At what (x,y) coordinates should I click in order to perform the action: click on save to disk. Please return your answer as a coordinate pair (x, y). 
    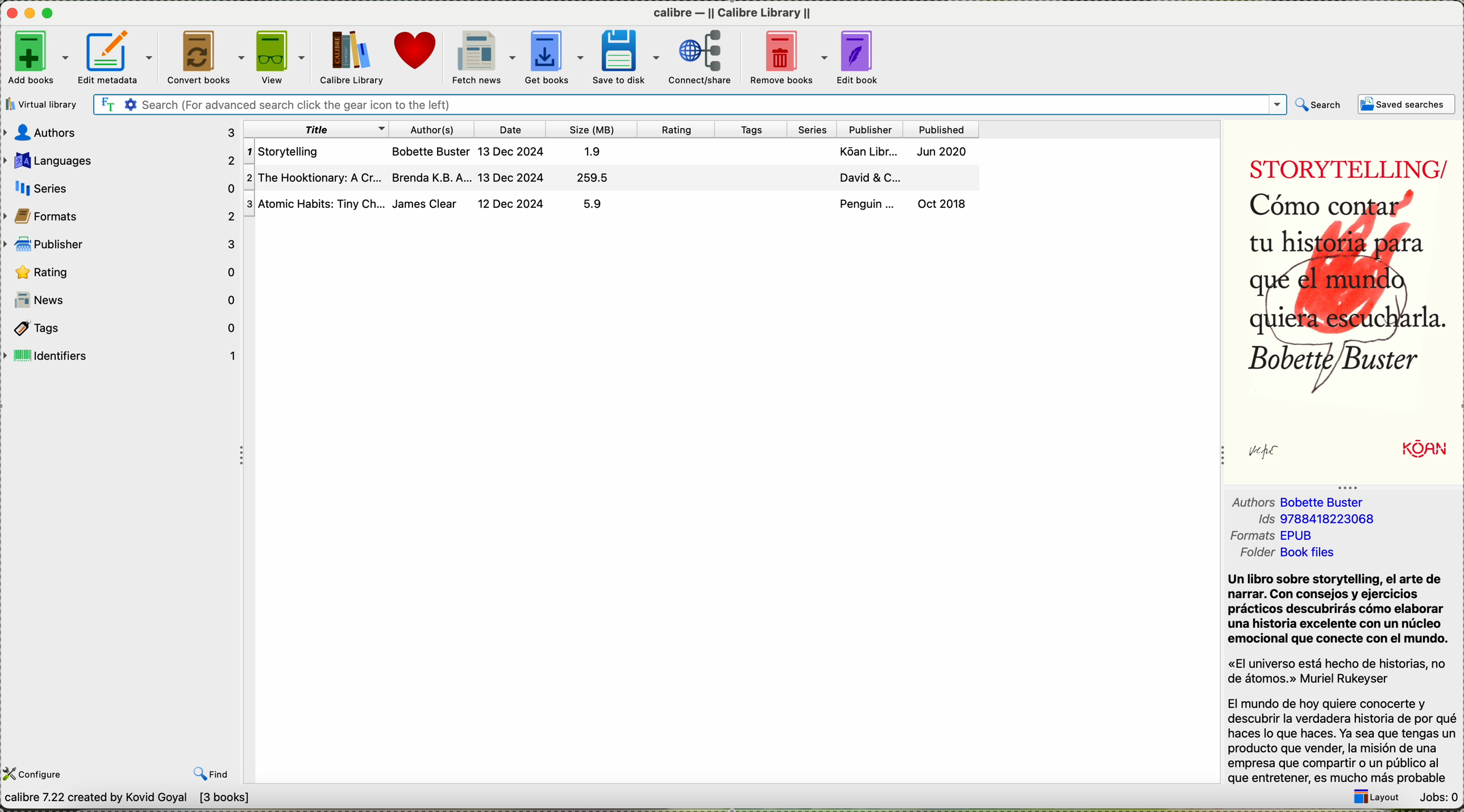
    Looking at the image, I should click on (626, 56).